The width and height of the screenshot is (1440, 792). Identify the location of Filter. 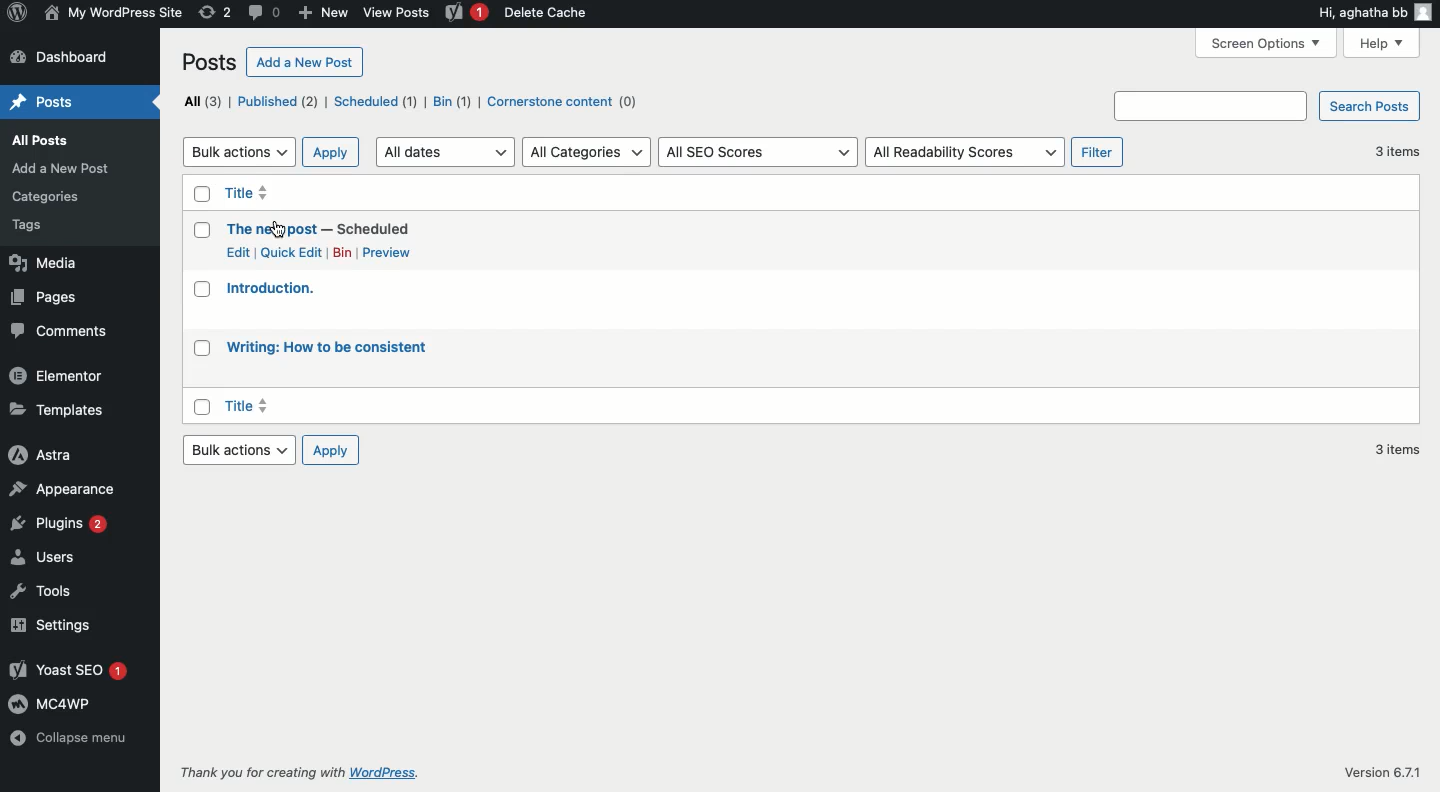
(1097, 151).